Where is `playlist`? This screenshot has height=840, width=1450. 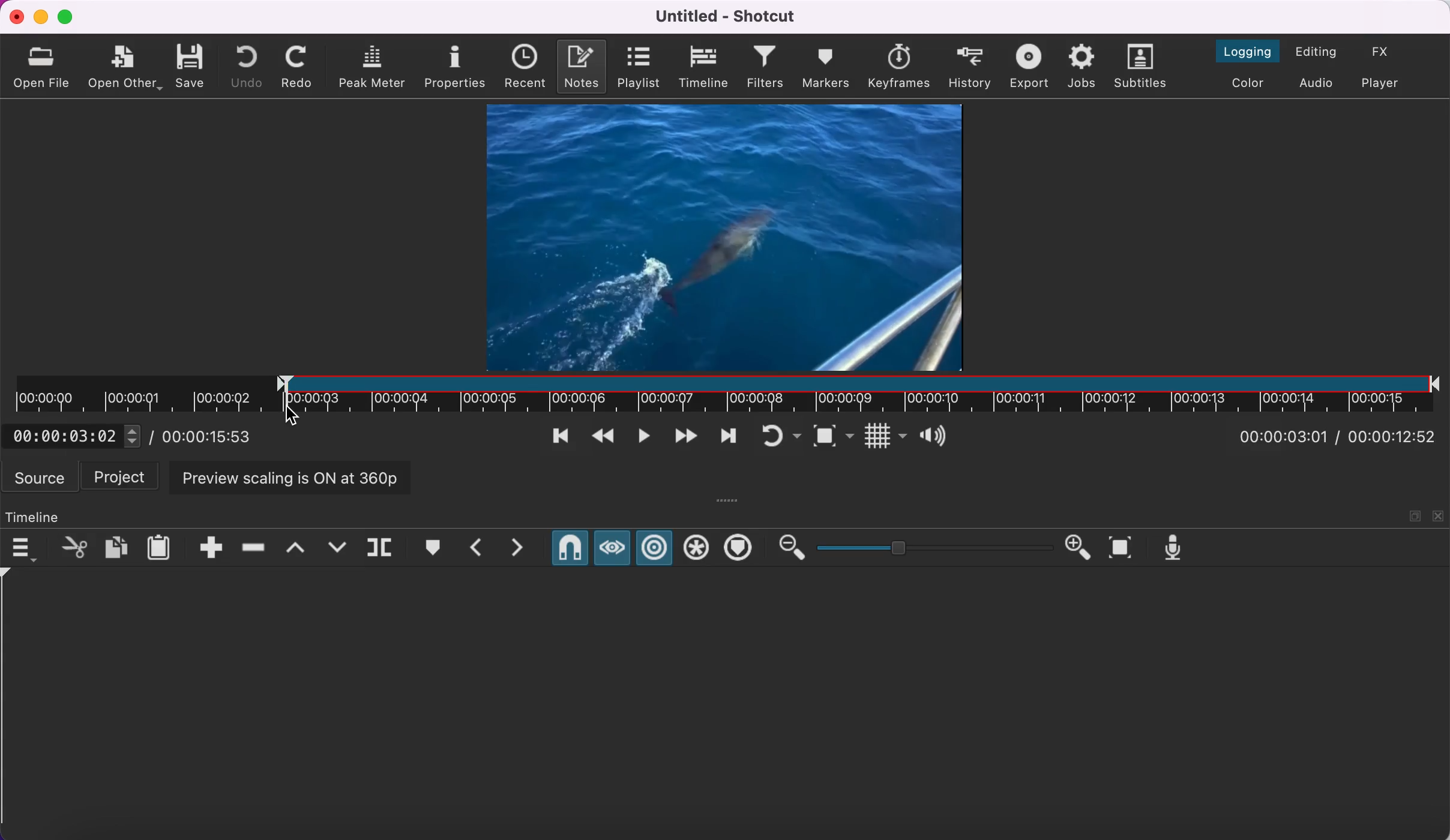
playlist is located at coordinates (640, 68).